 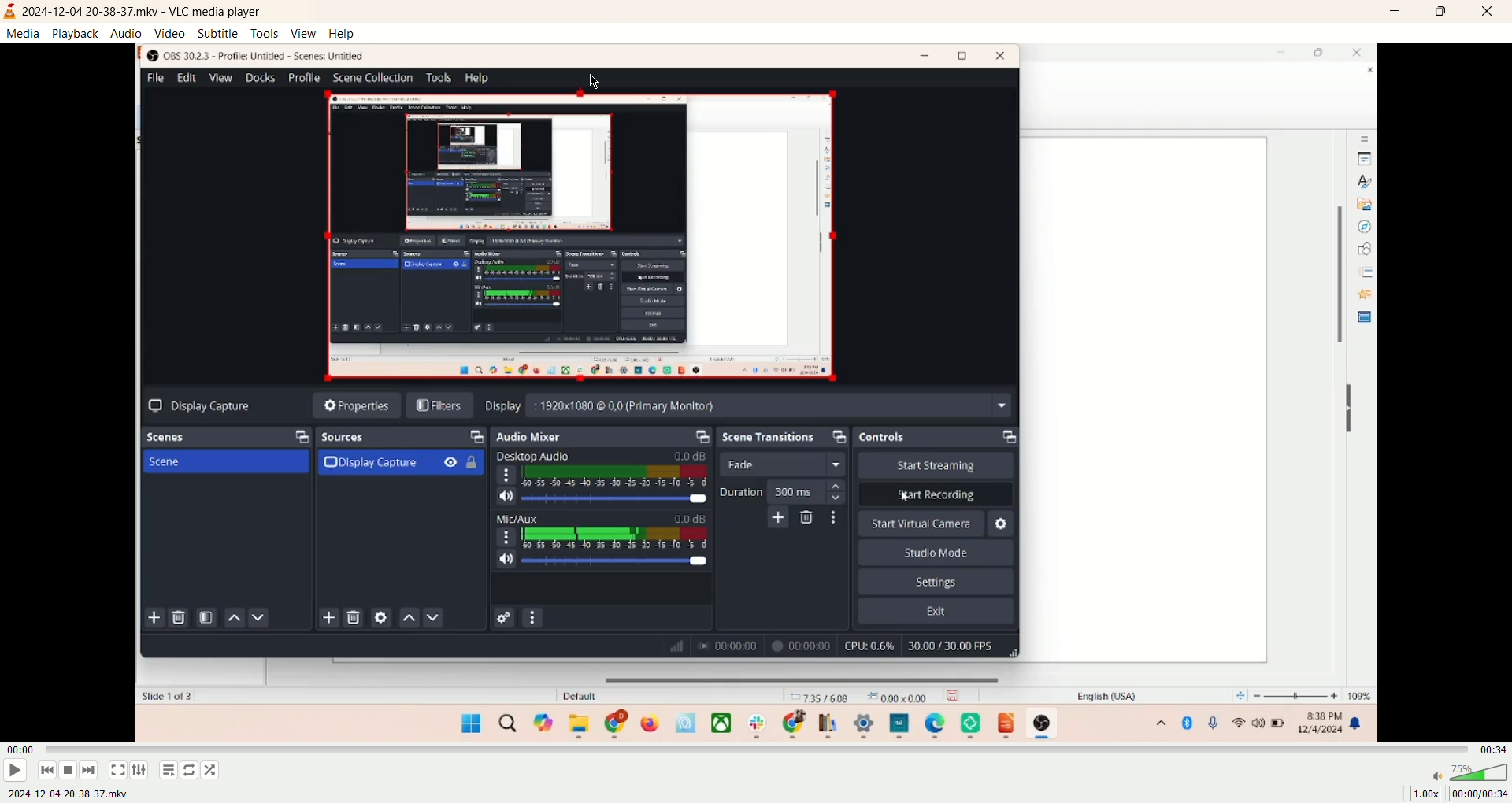 I want to click on cursor, so click(x=594, y=80).